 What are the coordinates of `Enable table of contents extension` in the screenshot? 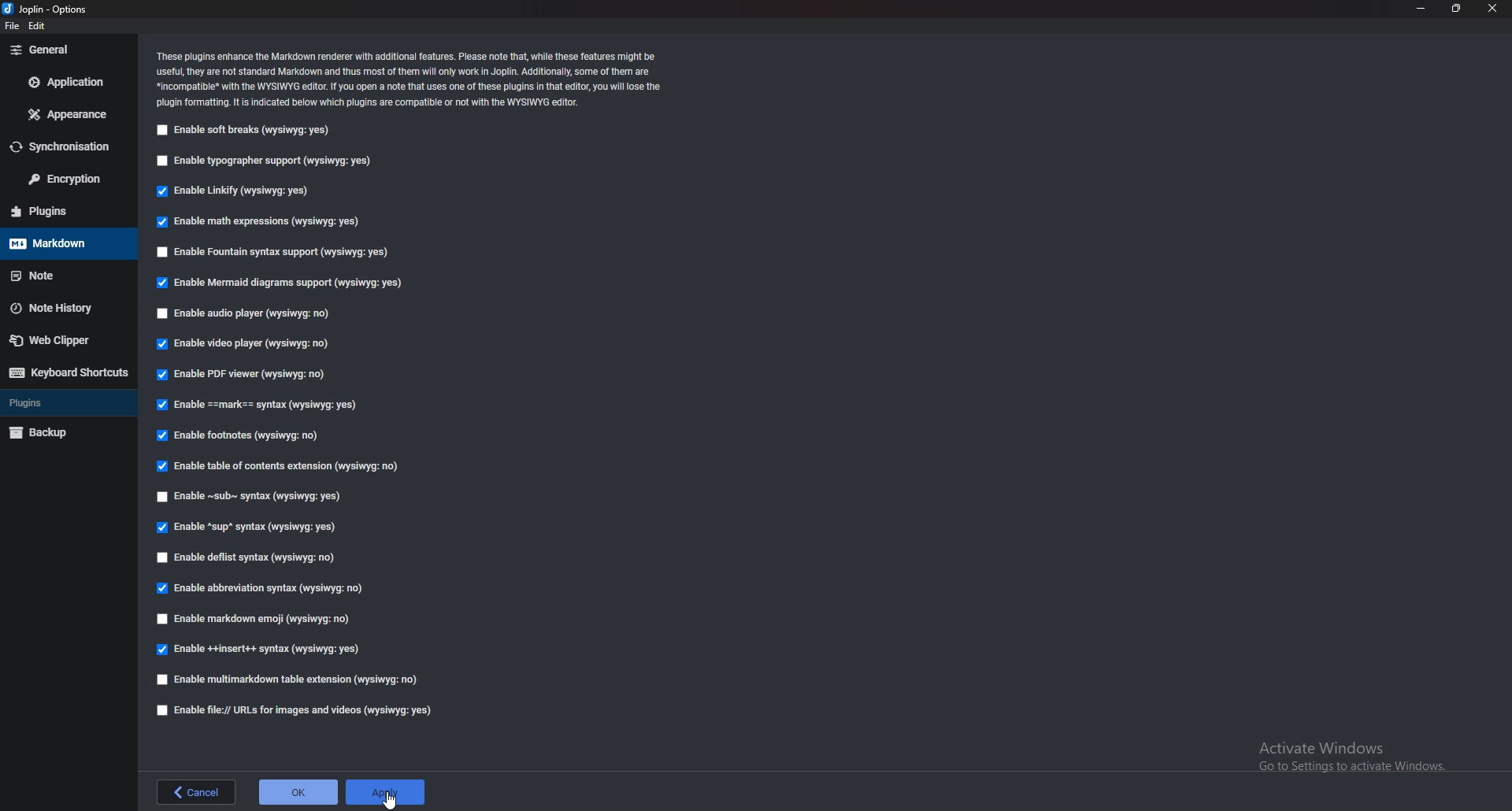 It's located at (280, 466).